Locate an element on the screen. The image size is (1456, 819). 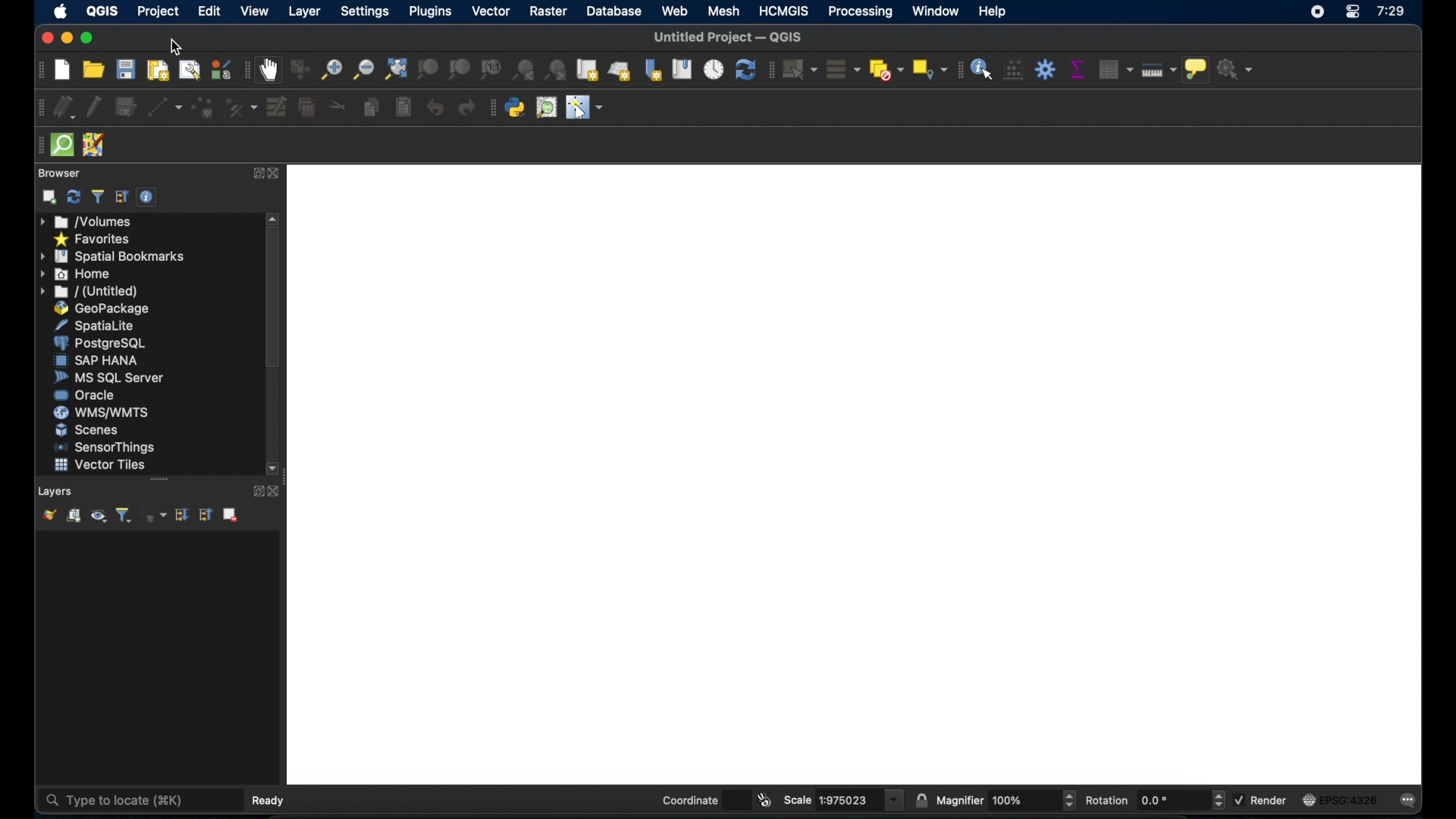
cursor is located at coordinates (180, 47).